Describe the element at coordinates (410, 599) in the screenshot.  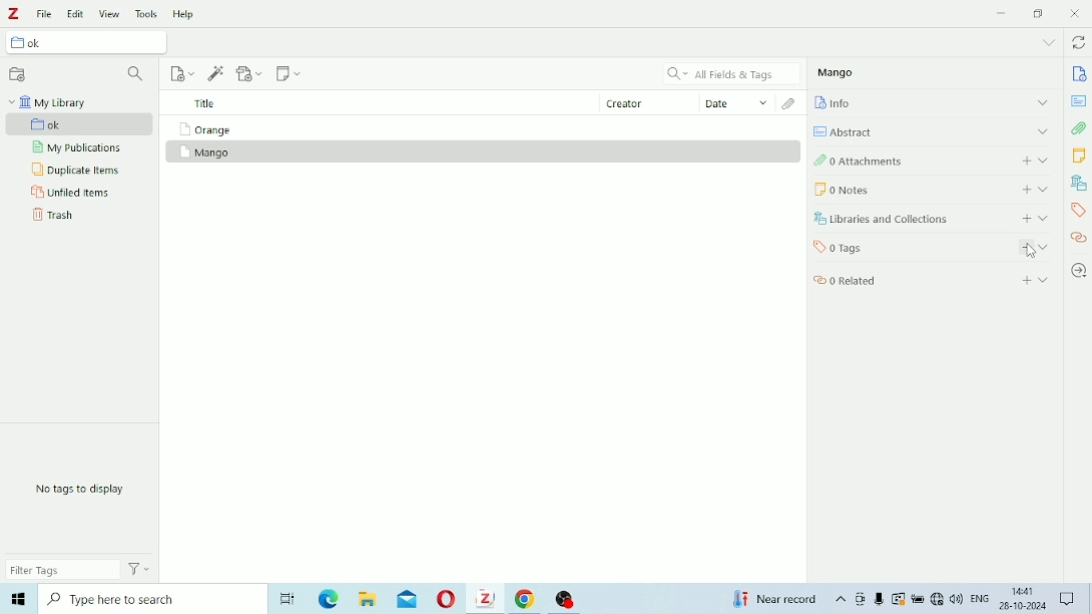
I see `Mail` at that location.